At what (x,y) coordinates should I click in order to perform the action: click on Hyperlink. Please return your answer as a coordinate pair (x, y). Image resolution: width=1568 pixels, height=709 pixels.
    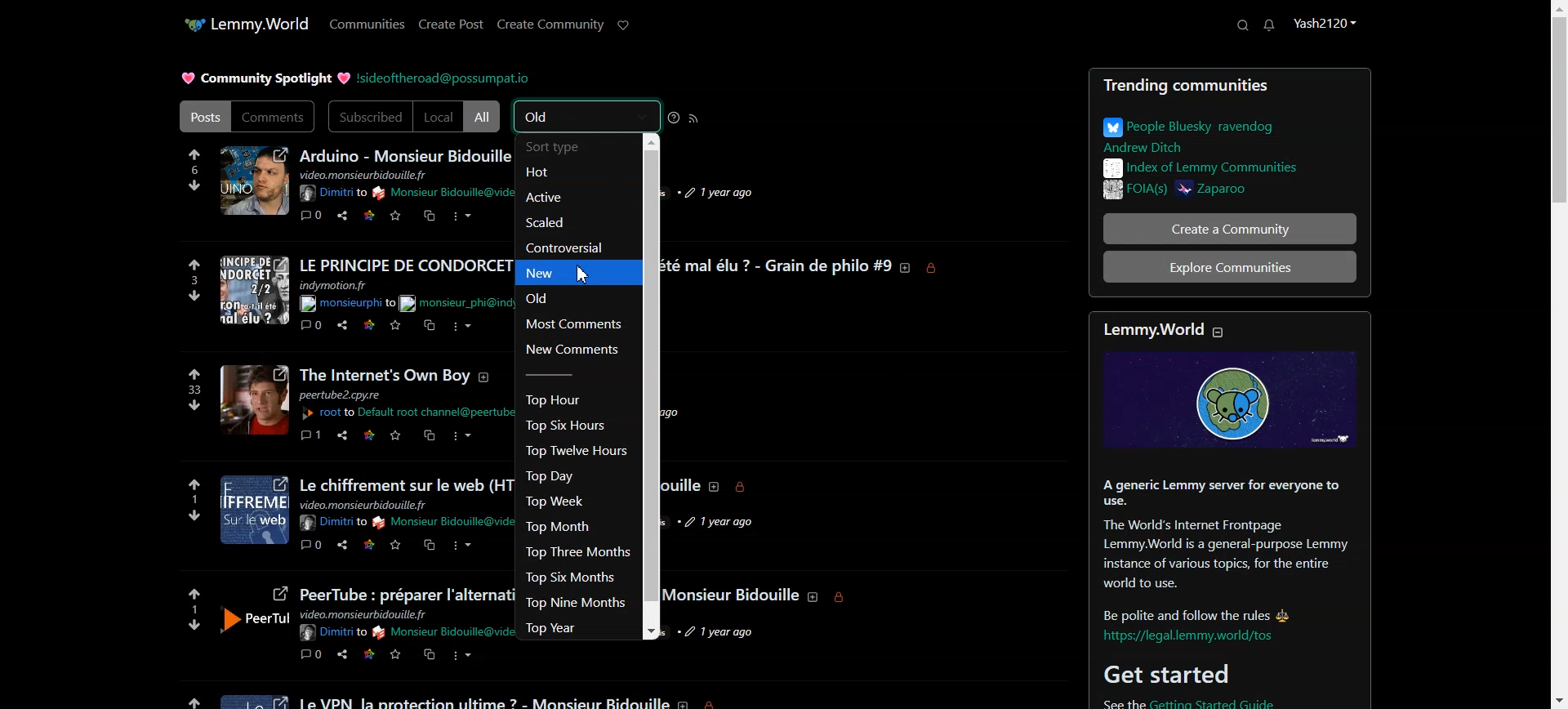
    Looking at the image, I should click on (332, 192).